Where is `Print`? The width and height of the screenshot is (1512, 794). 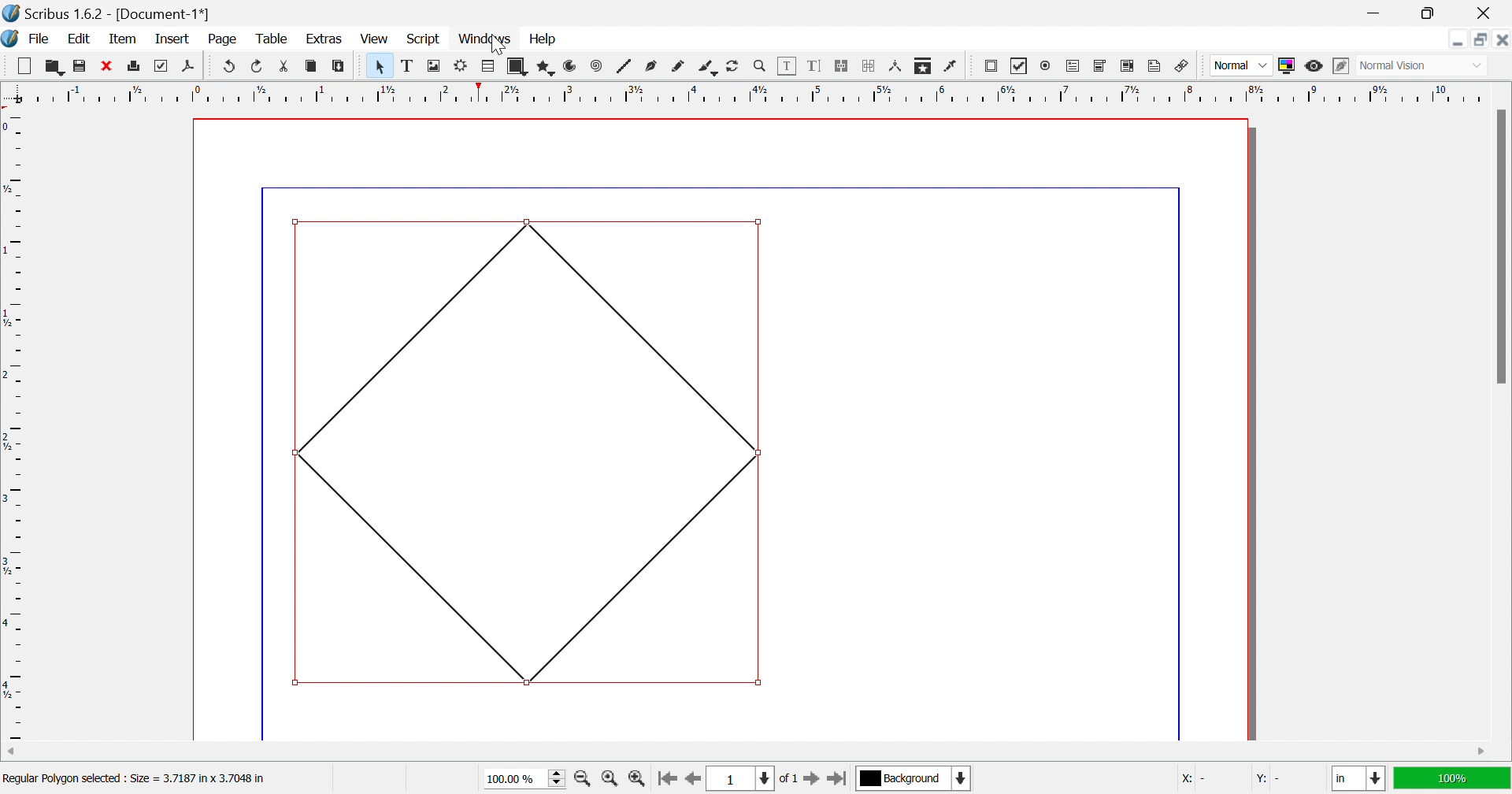
Print is located at coordinates (135, 66).